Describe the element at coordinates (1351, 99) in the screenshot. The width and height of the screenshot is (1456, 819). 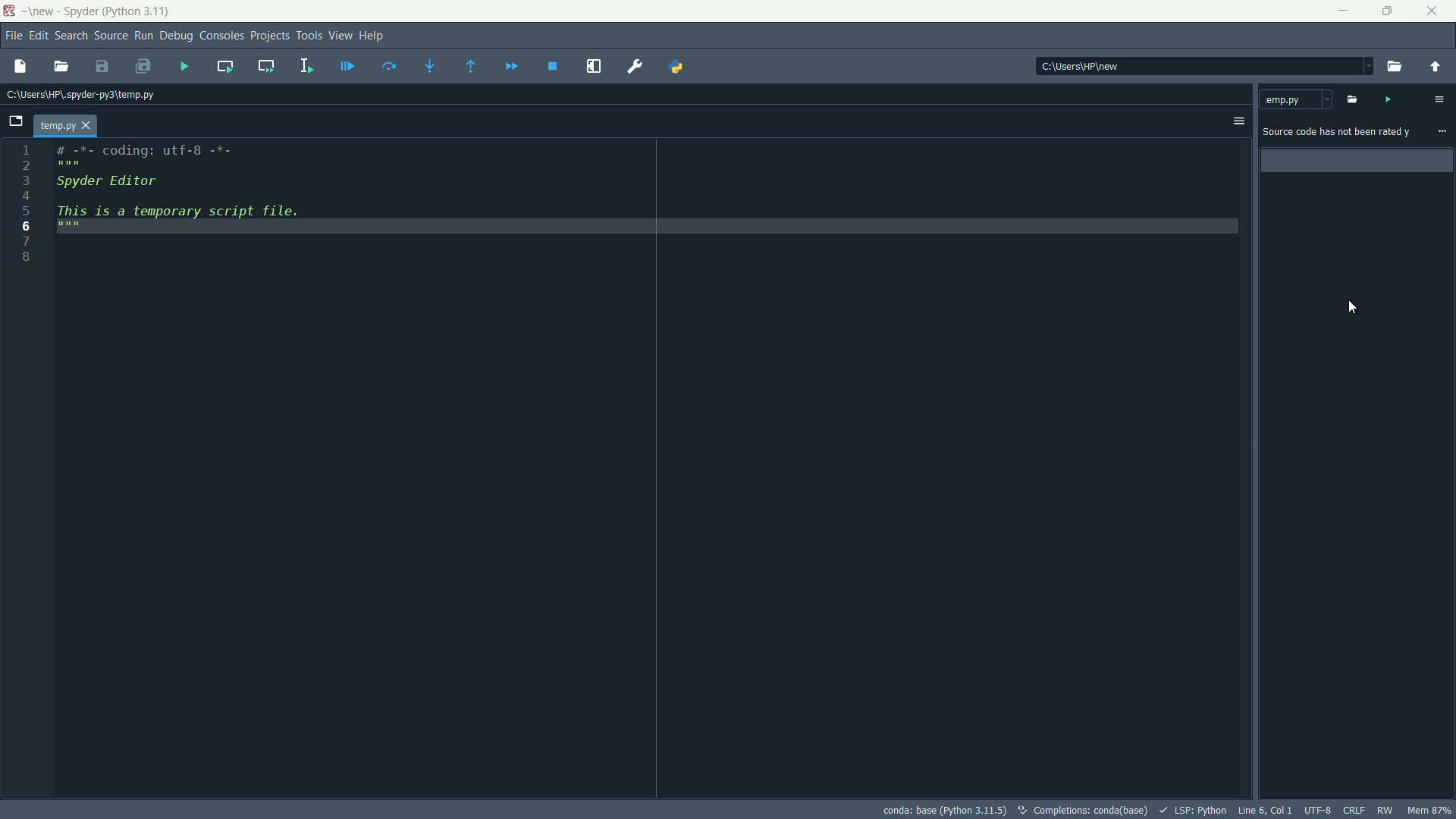
I see `open file` at that location.